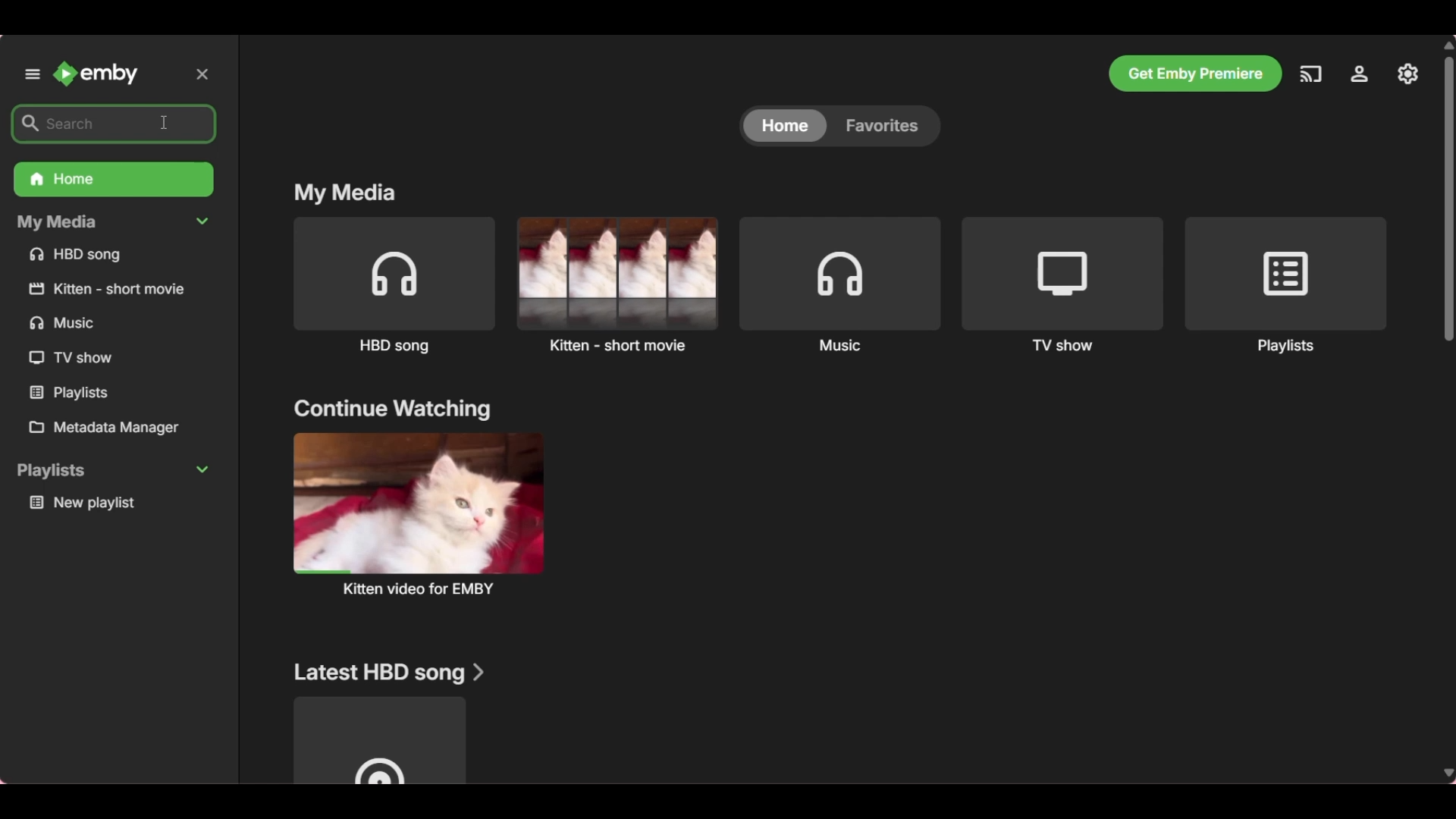 This screenshot has height=819, width=1456. What do you see at coordinates (347, 193) in the screenshot?
I see `My media` at bounding box center [347, 193].